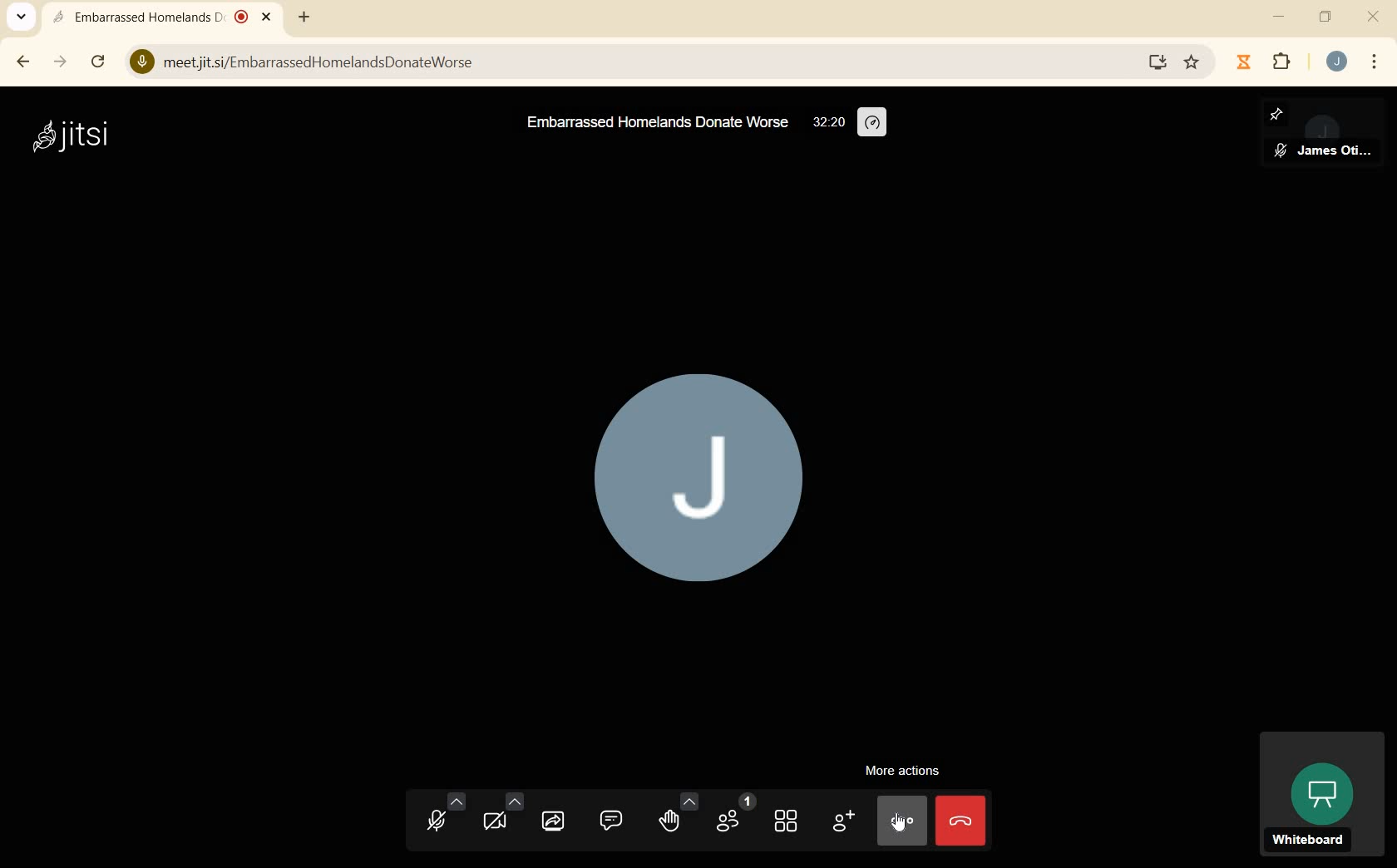  I want to click on more actions, so click(902, 770).